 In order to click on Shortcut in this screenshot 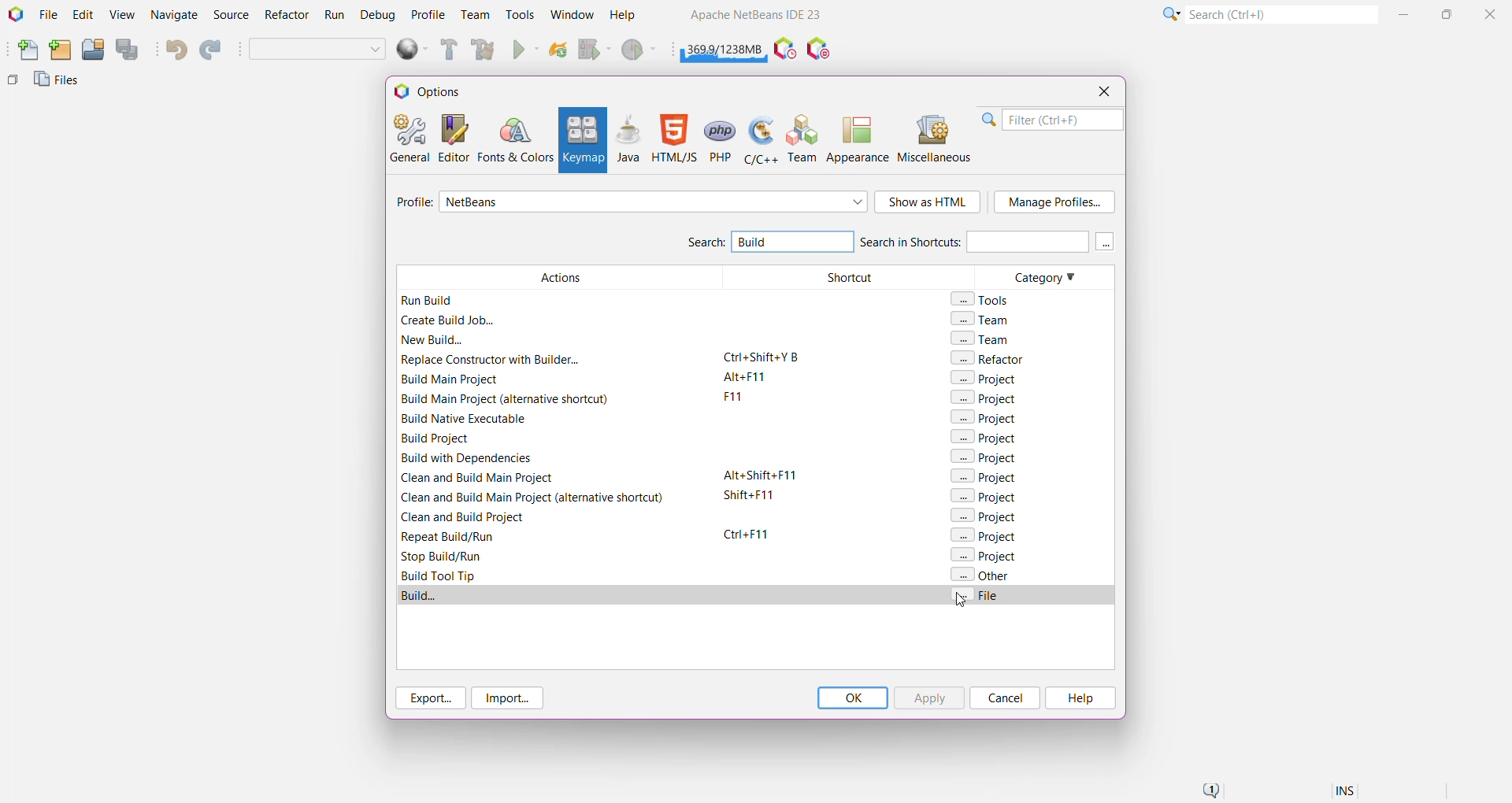, I will do `click(842, 424)`.